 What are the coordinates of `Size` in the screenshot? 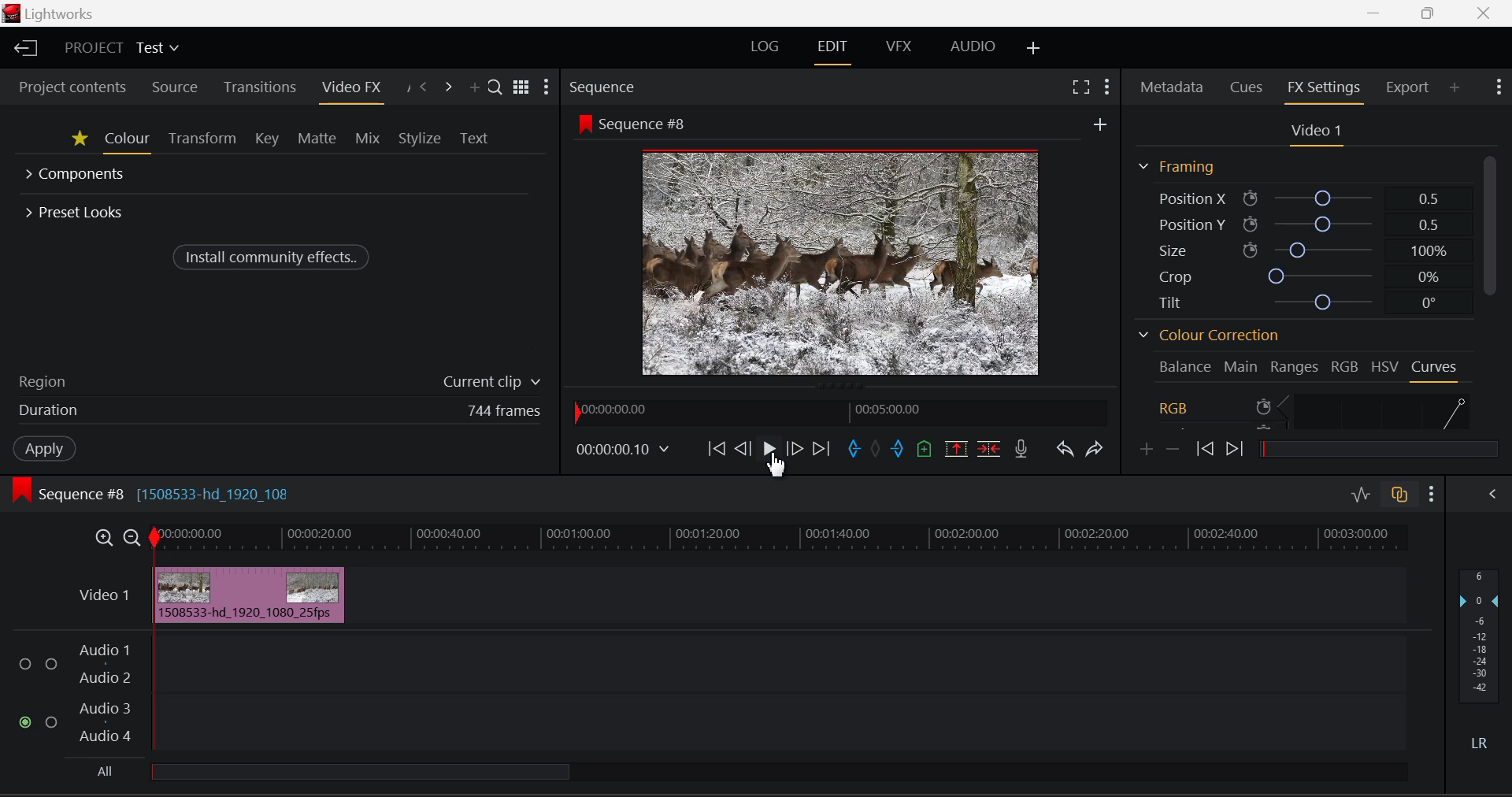 It's located at (1299, 250).